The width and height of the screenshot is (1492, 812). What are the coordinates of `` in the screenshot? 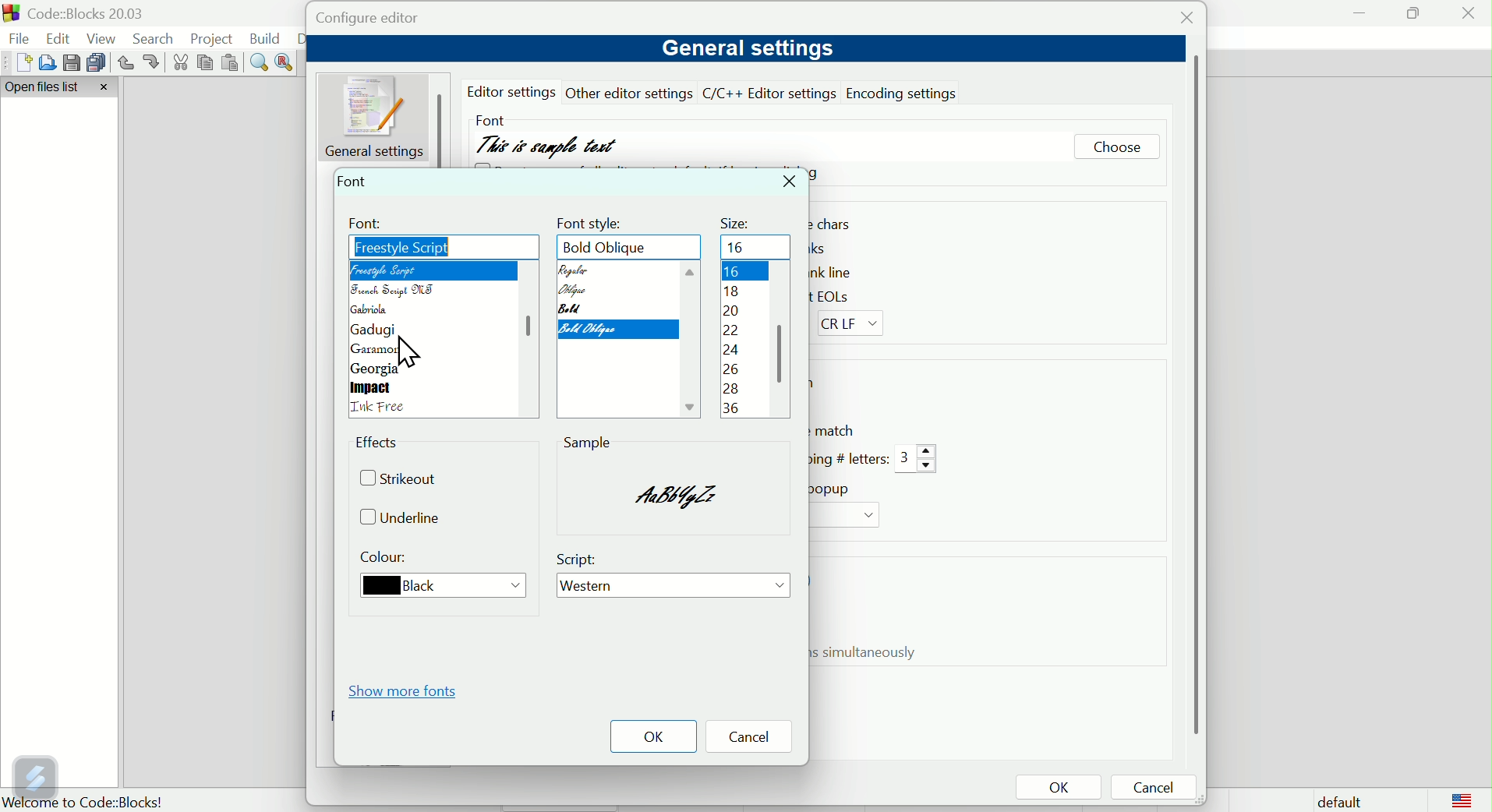 It's located at (571, 309).